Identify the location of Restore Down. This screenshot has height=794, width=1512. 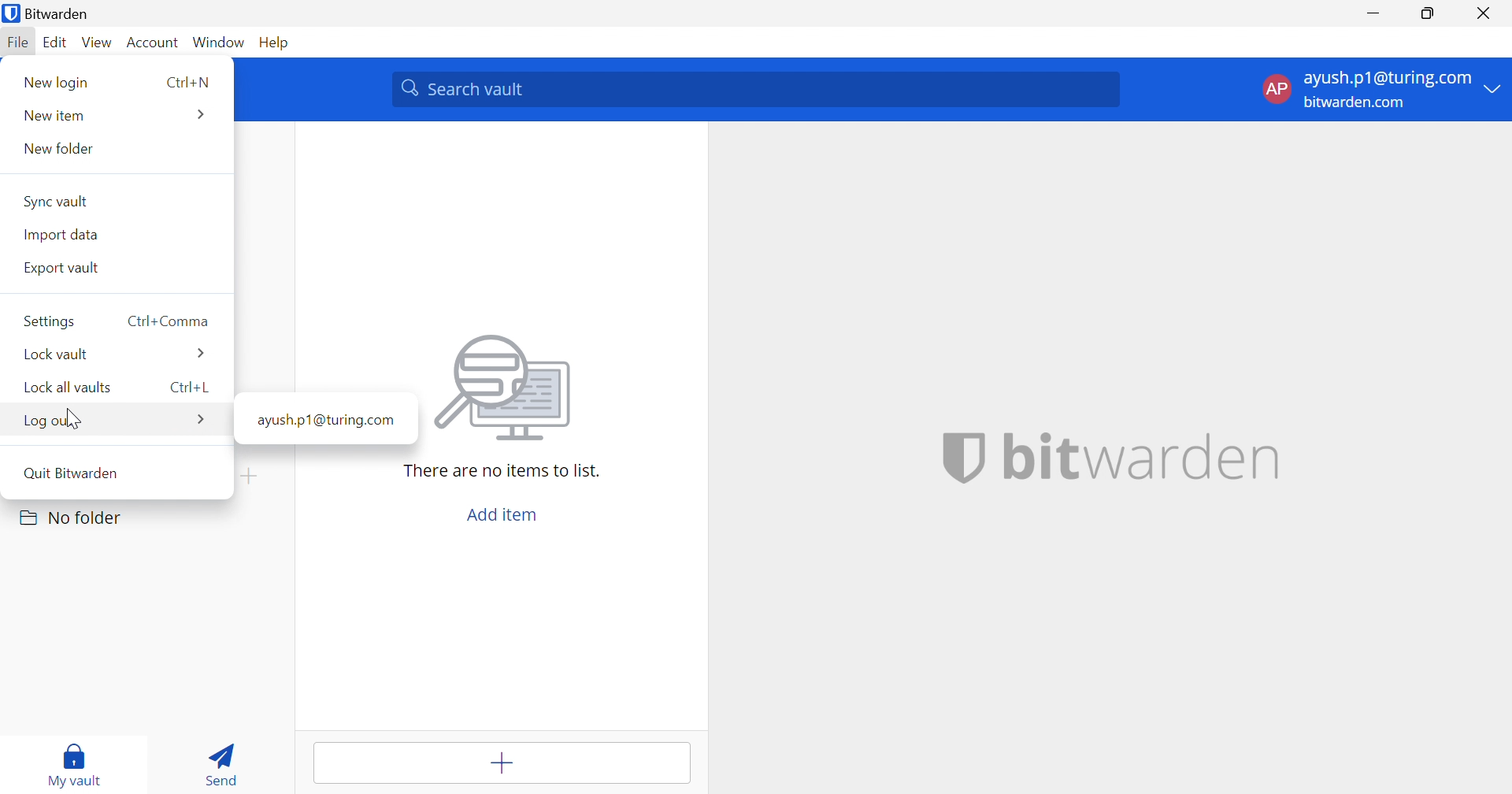
(1426, 13).